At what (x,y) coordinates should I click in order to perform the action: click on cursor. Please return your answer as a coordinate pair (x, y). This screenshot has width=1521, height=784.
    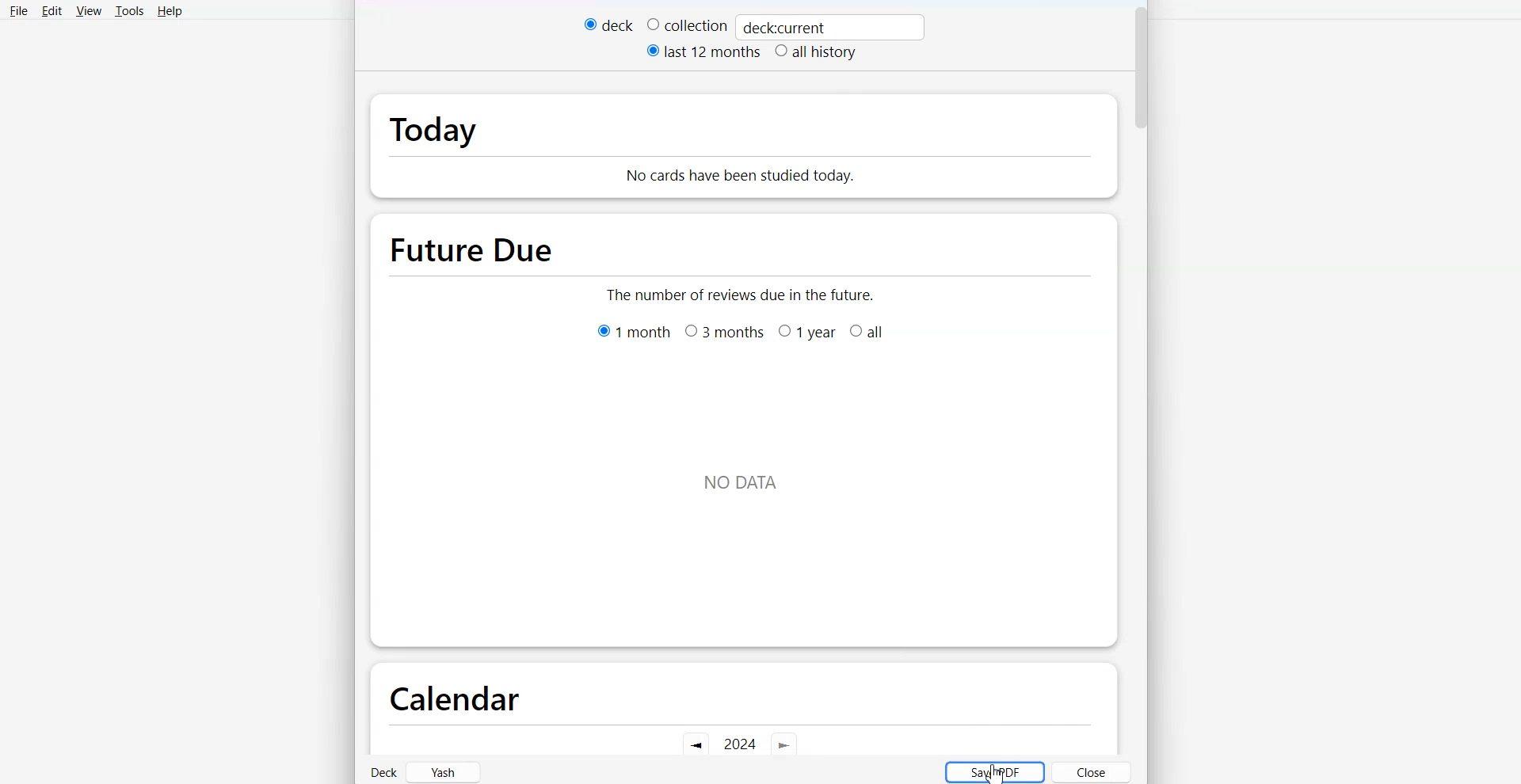
    Looking at the image, I should click on (997, 775).